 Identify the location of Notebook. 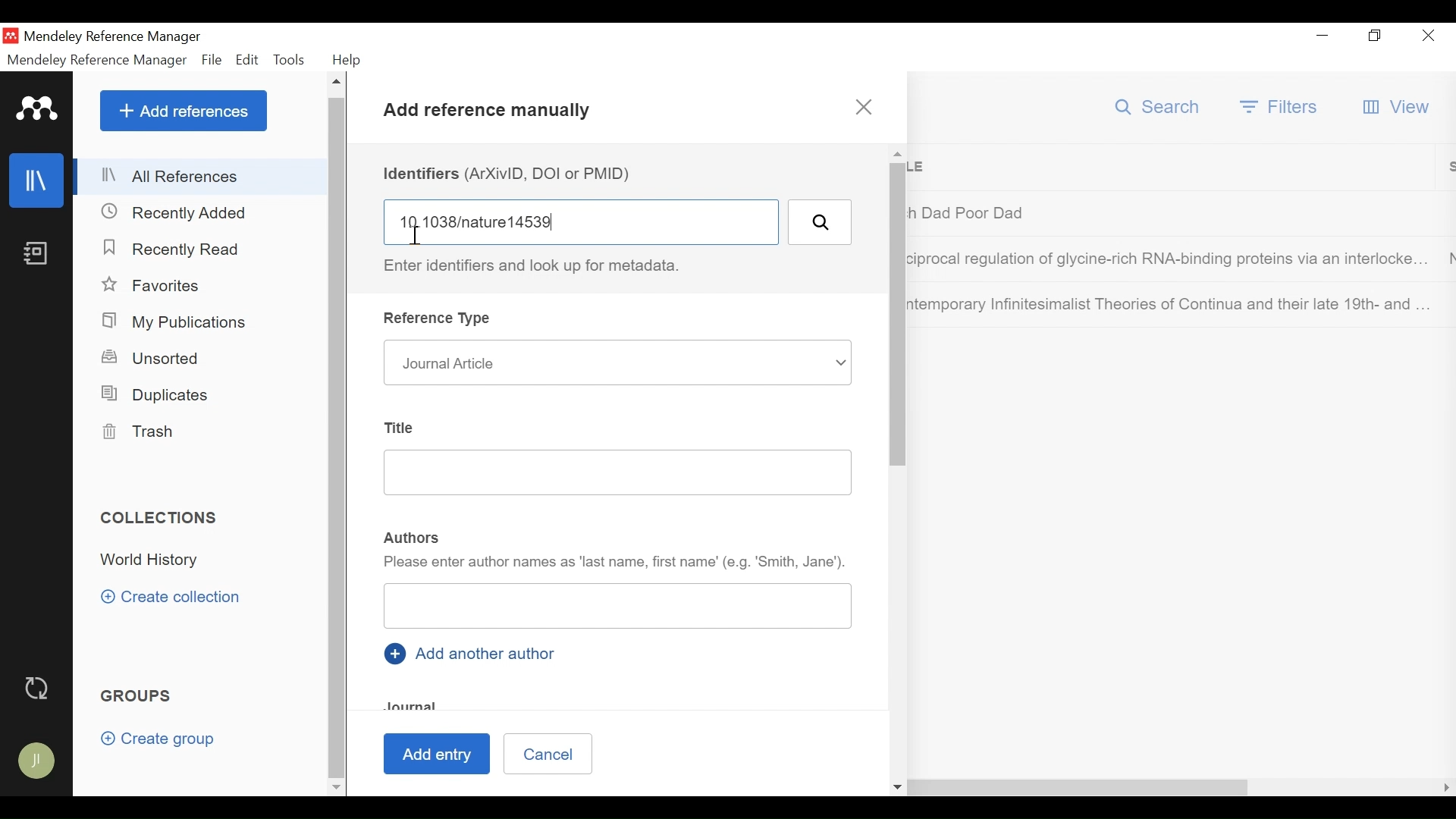
(38, 254).